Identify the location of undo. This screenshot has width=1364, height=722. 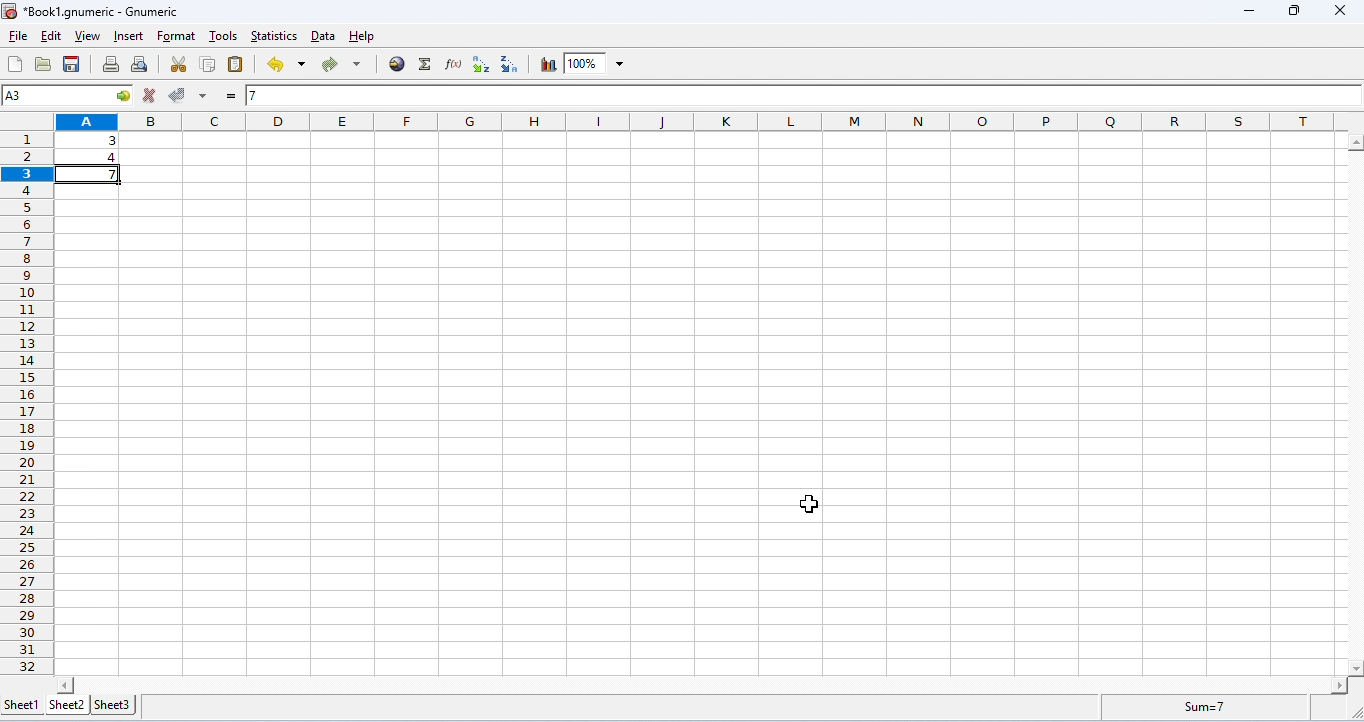
(284, 66).